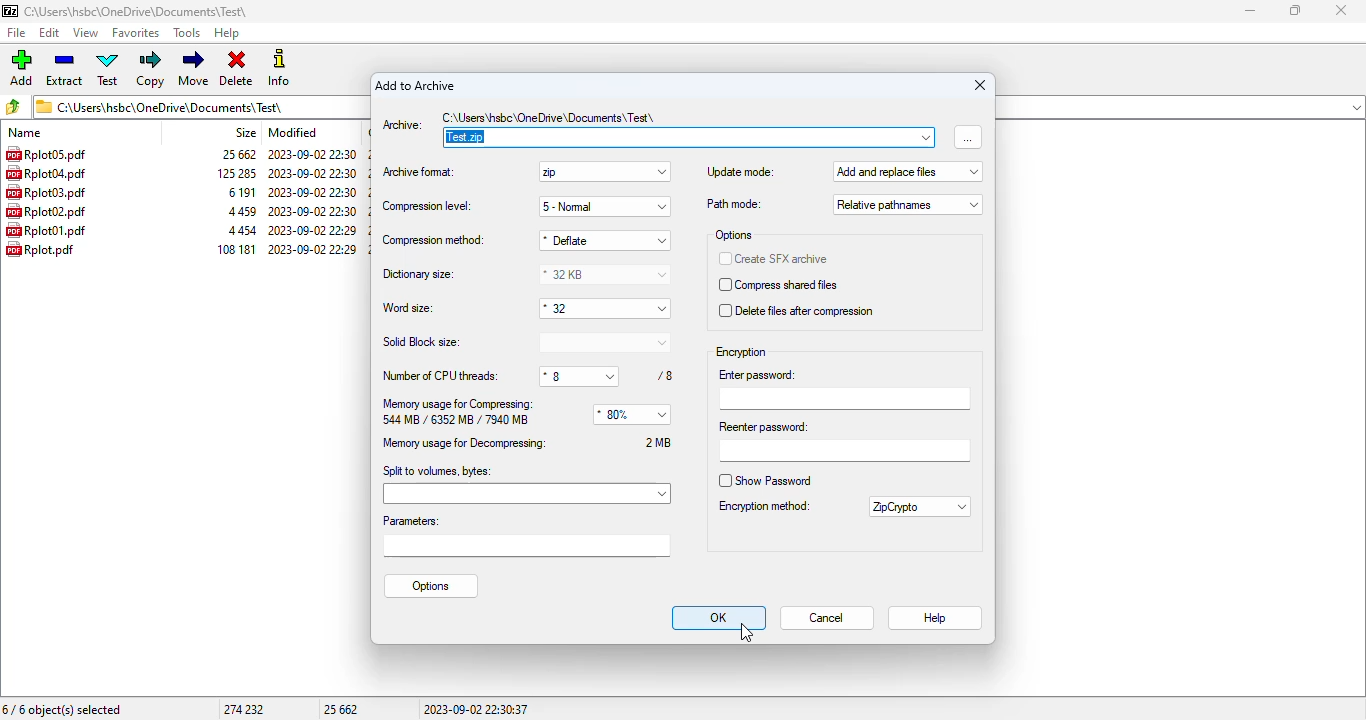  I want to click on compression level:, so click(426, 205).